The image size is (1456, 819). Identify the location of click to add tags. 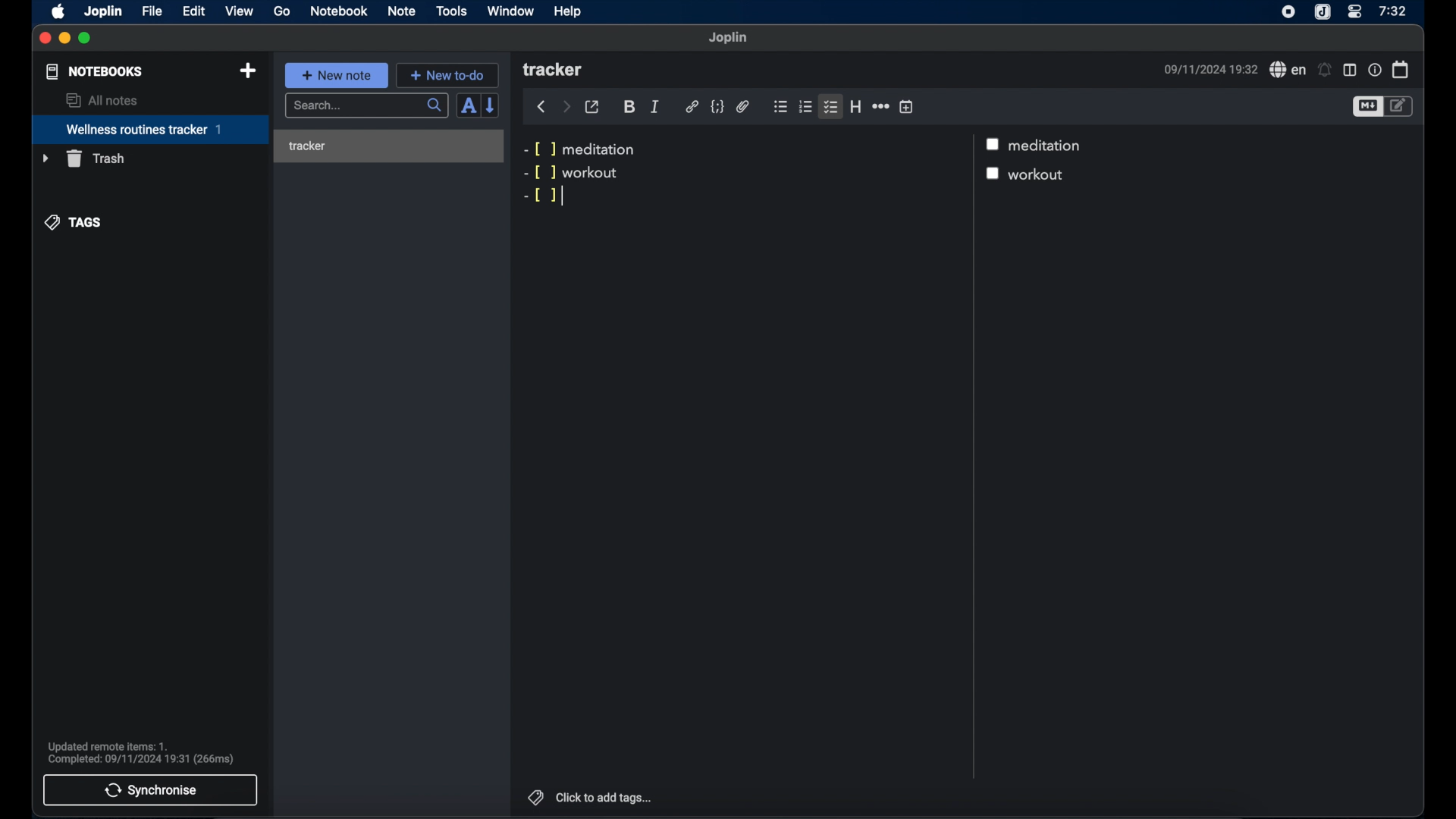
(605, 797).